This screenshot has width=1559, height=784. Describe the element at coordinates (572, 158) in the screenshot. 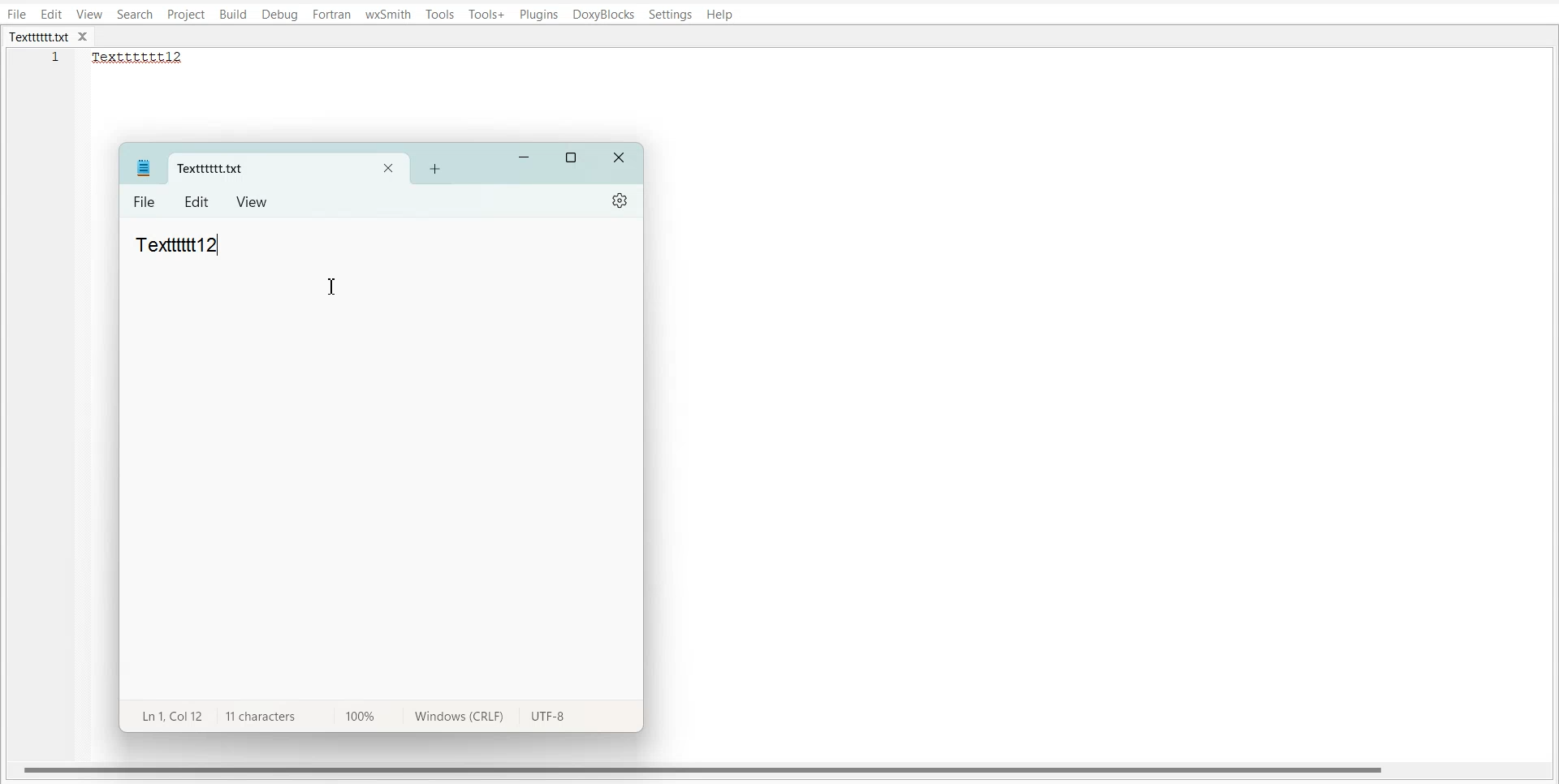

I see `Maximize` at that location.